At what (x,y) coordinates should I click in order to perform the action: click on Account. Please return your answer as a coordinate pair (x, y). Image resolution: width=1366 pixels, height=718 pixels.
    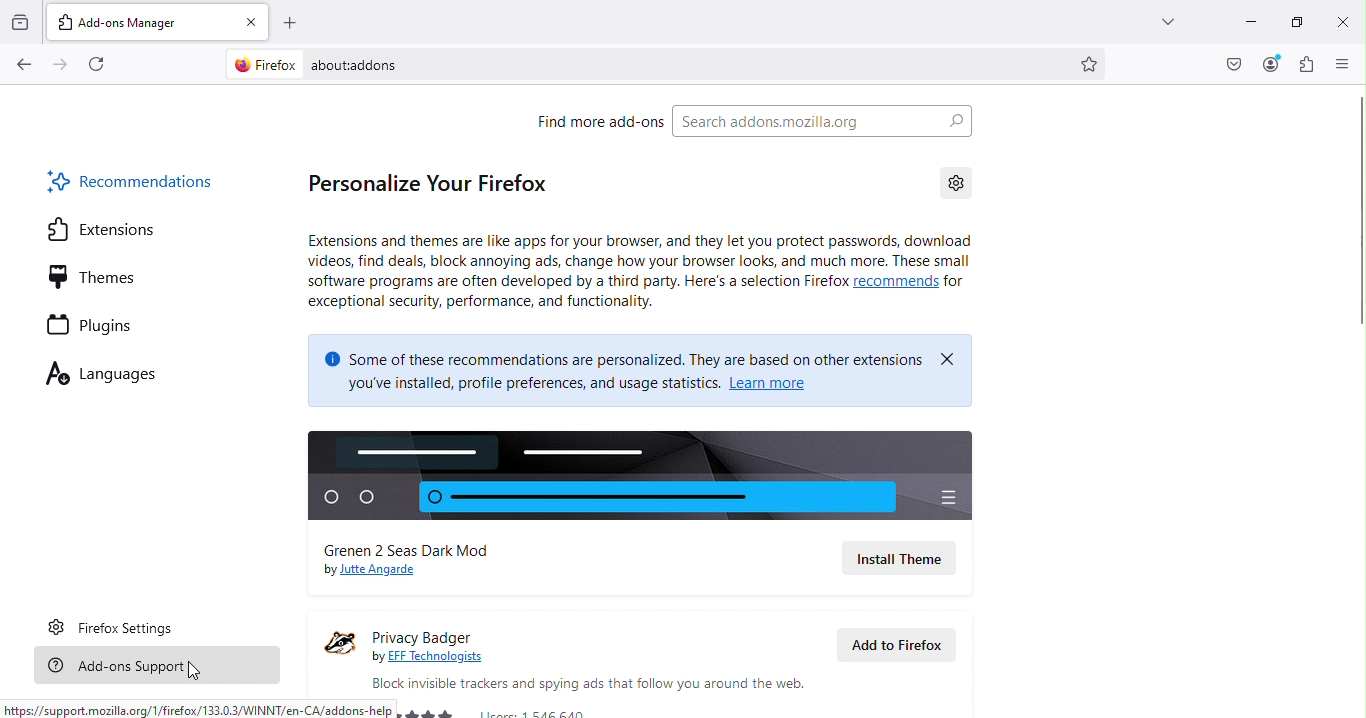
    Looking at the image, I should click on (1267, 65).